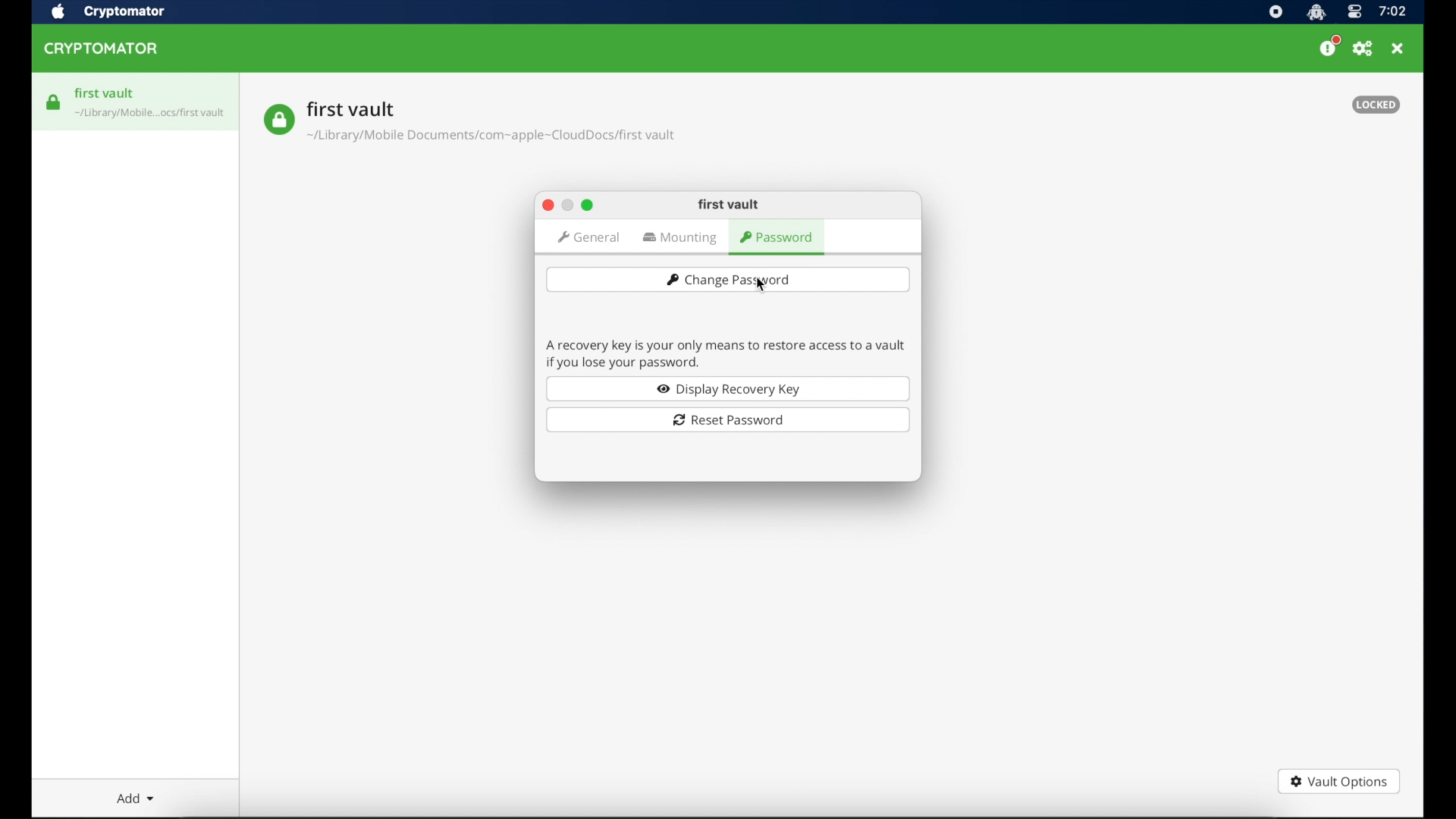 Image resolution: width=1456 pixels, height=819 pixels. I want to click on cryptomator icon, so click(1316, 13).